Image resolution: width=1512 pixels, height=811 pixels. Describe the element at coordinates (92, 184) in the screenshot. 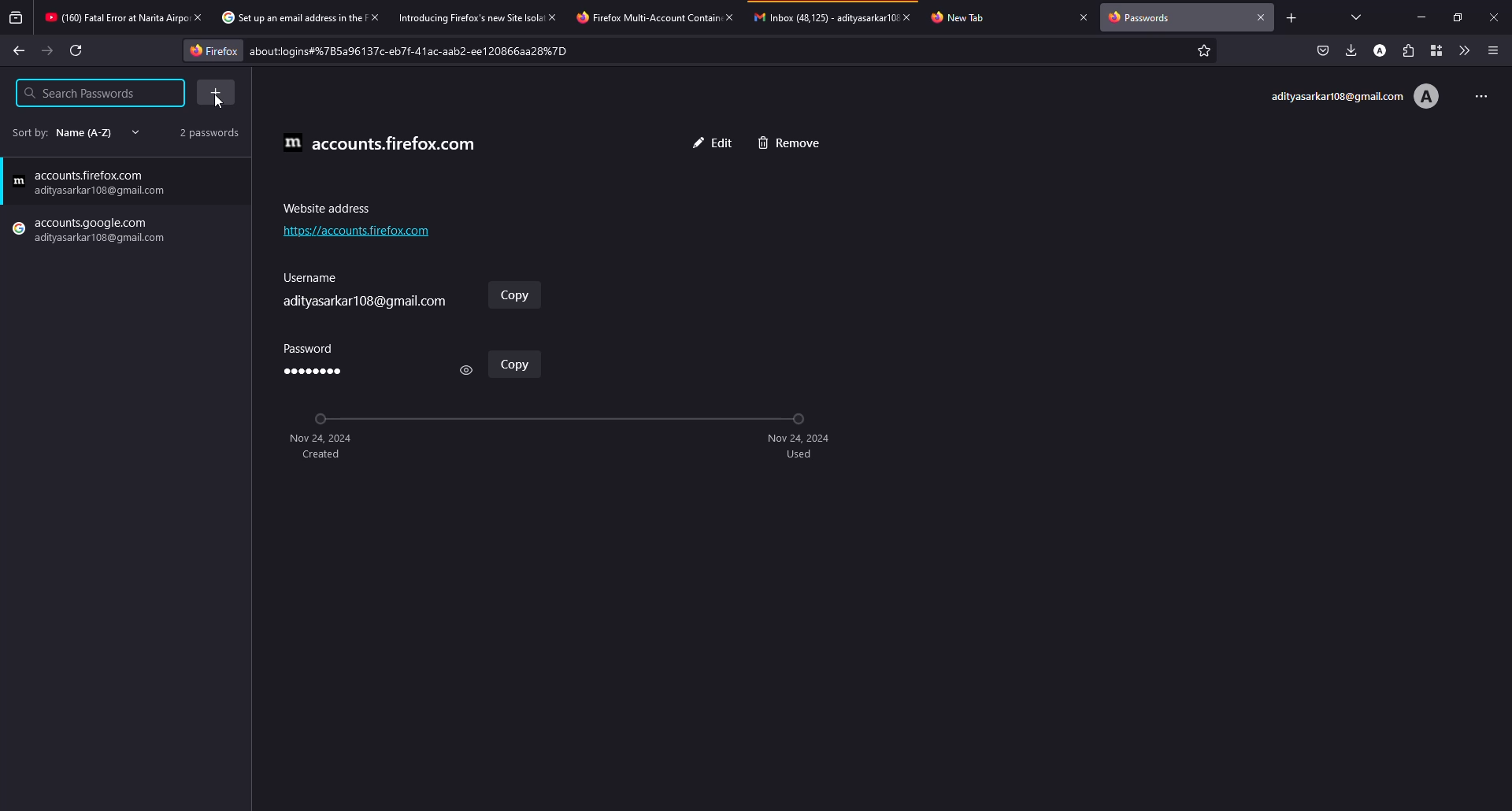

I see `firefox` at that location.